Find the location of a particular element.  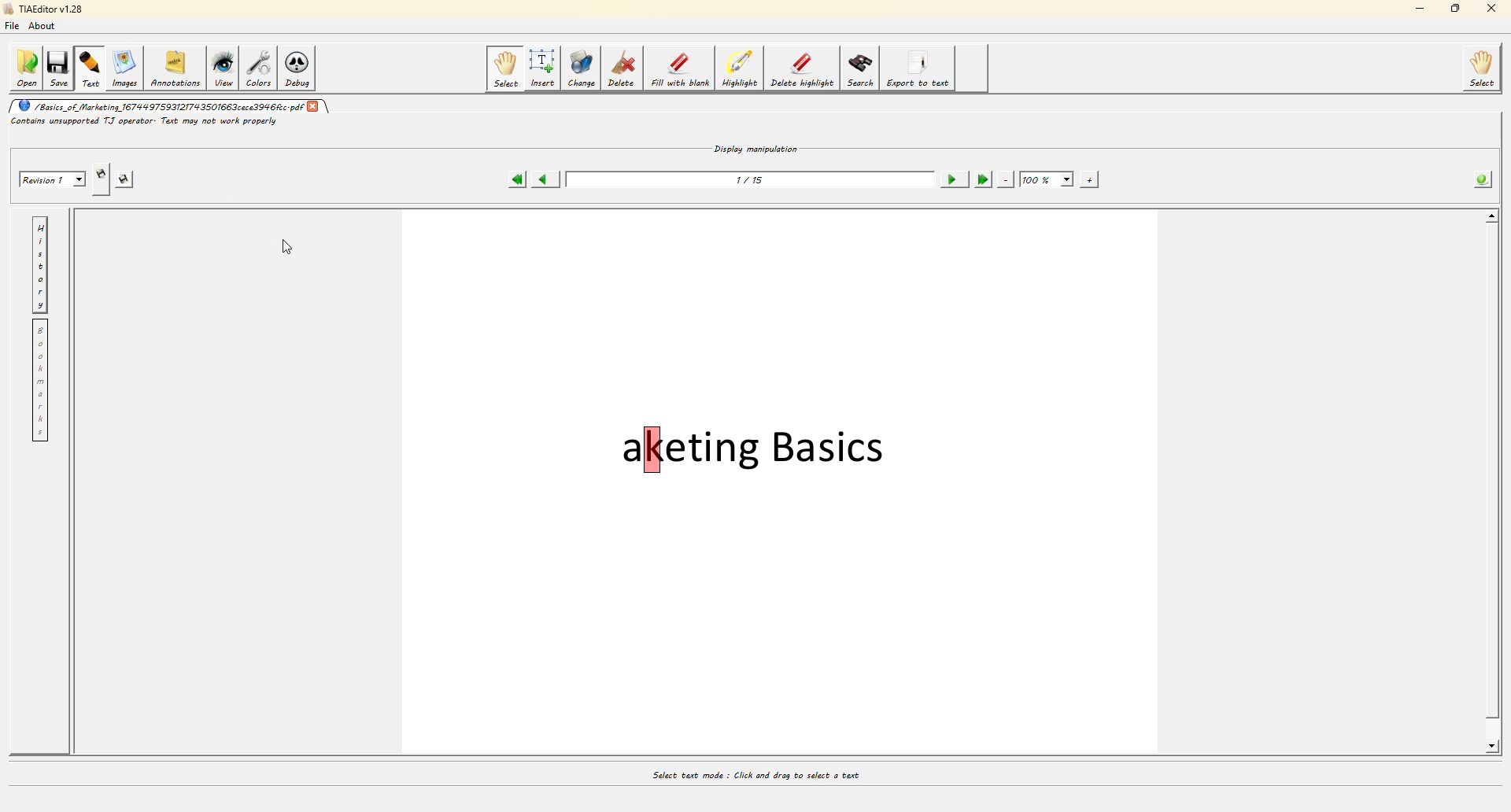

aketing Basics is located at coordinates (752, 447).